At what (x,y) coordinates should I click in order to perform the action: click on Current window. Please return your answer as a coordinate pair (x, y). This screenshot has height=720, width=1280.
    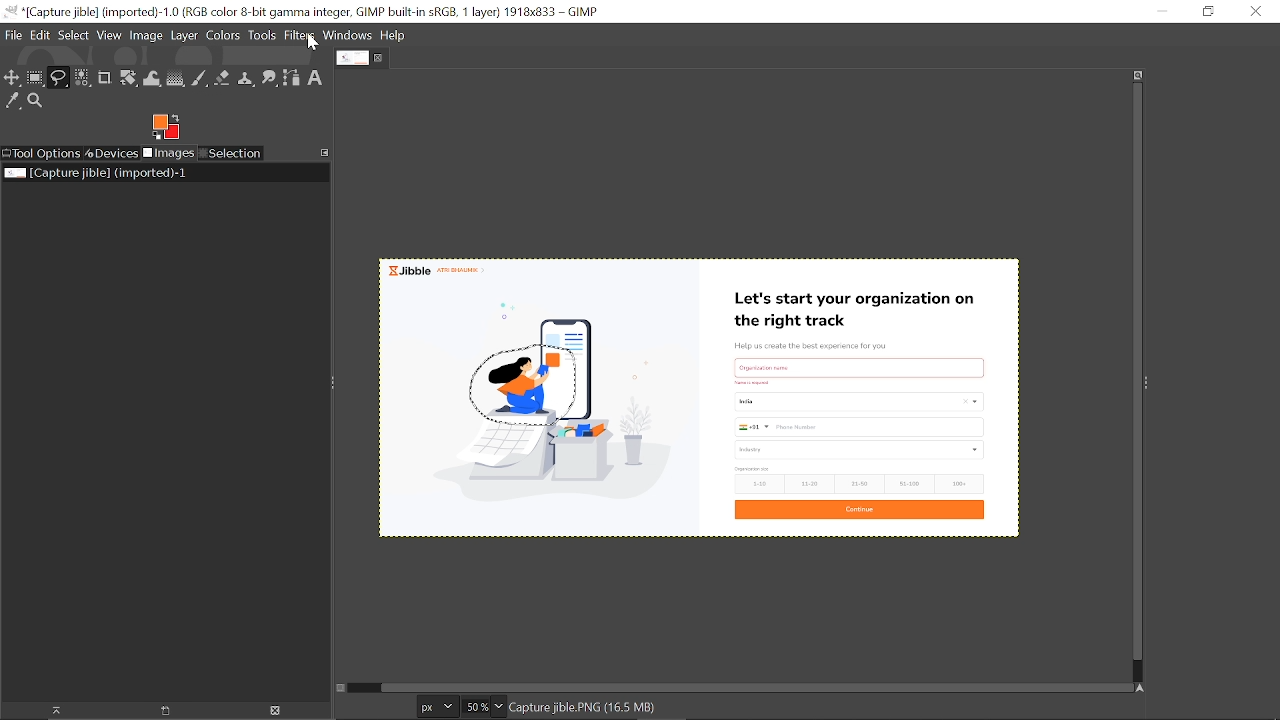
    Looking at the image, I should click on (304, 12).